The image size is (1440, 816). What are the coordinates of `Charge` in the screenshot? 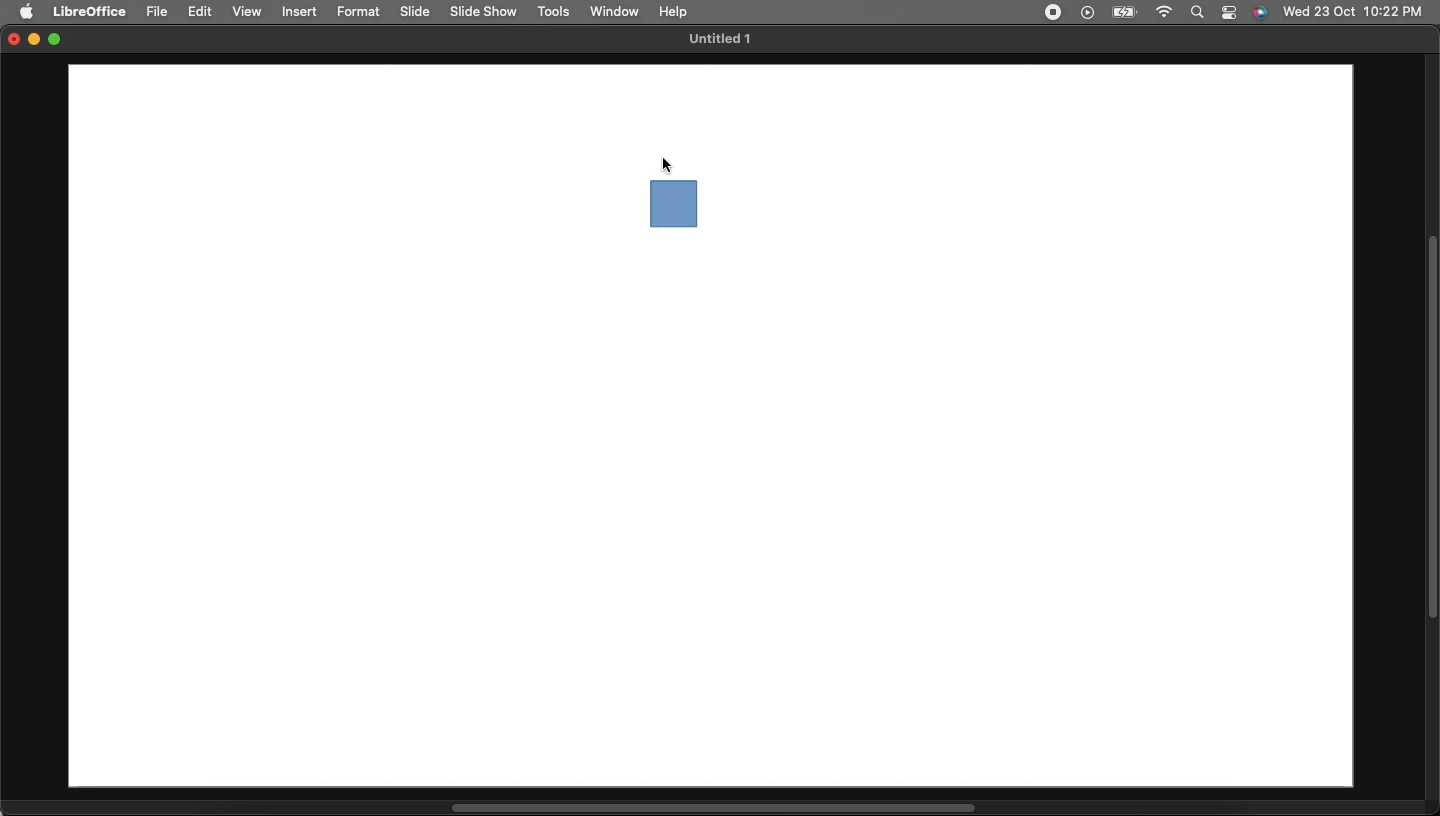 It's located at (1122, 12).